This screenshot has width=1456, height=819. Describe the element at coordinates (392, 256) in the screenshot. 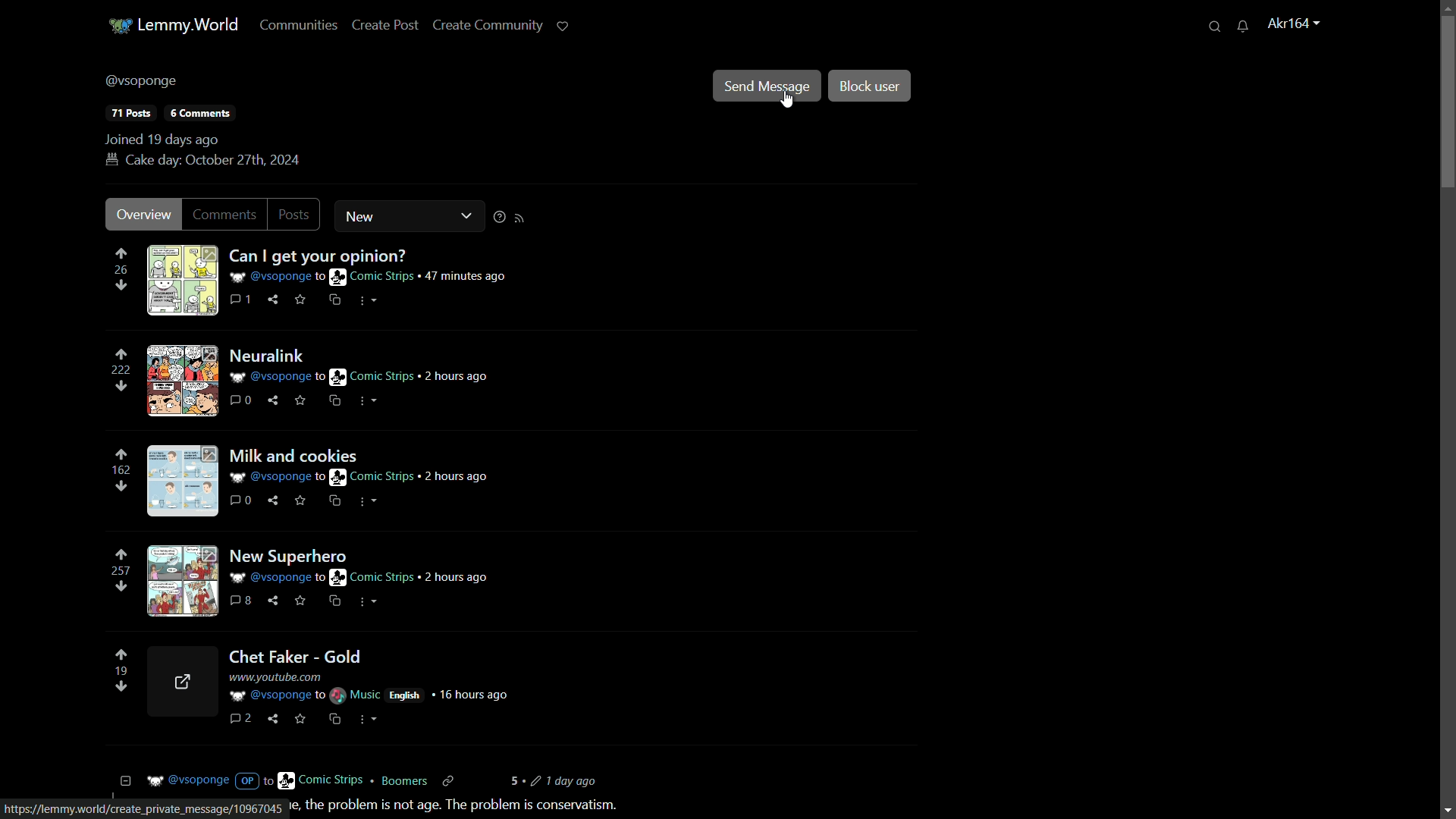

I see `post-1` at that location.